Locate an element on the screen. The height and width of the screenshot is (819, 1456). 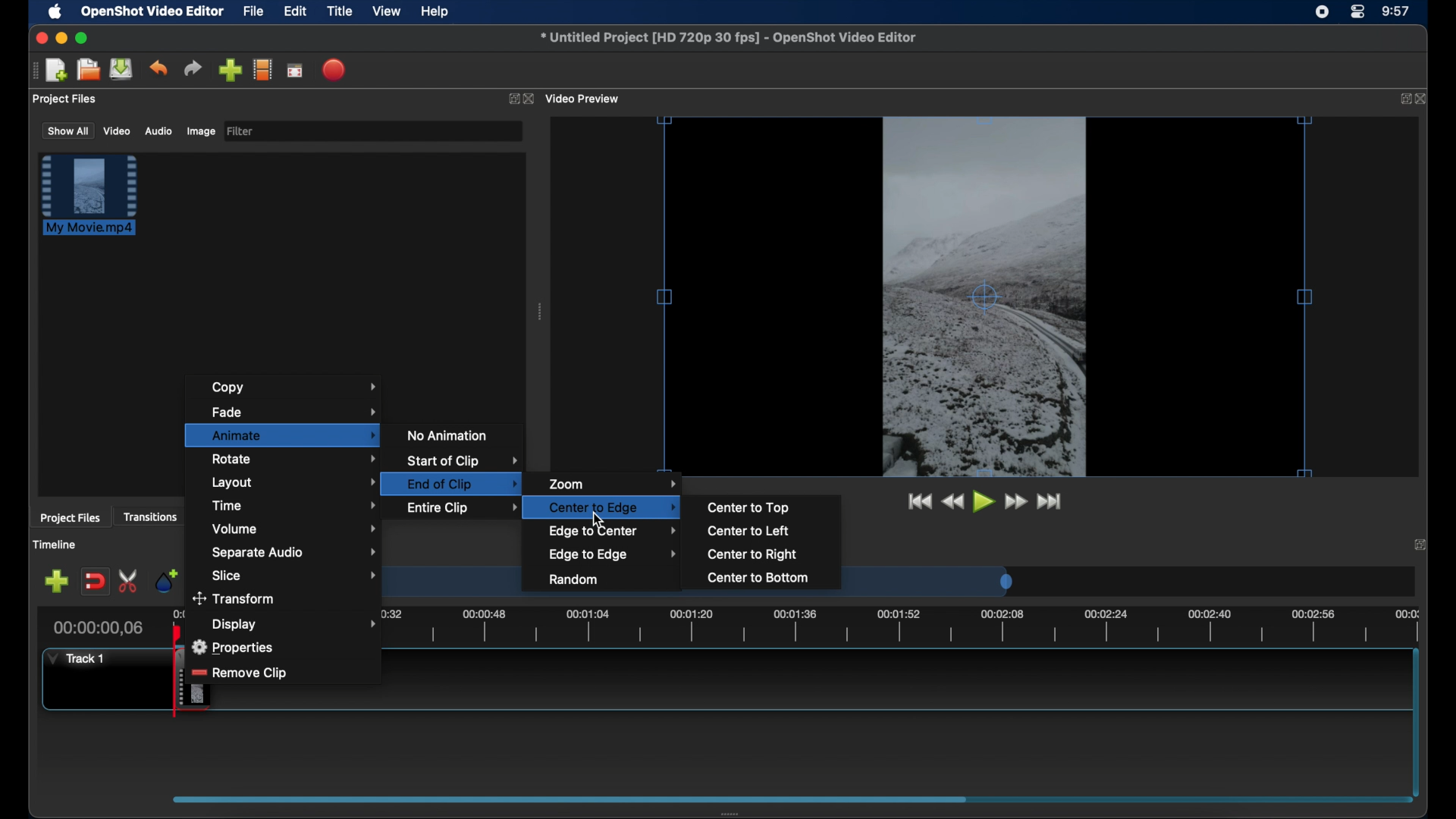
animate menu is located at coordinates (284, 435).